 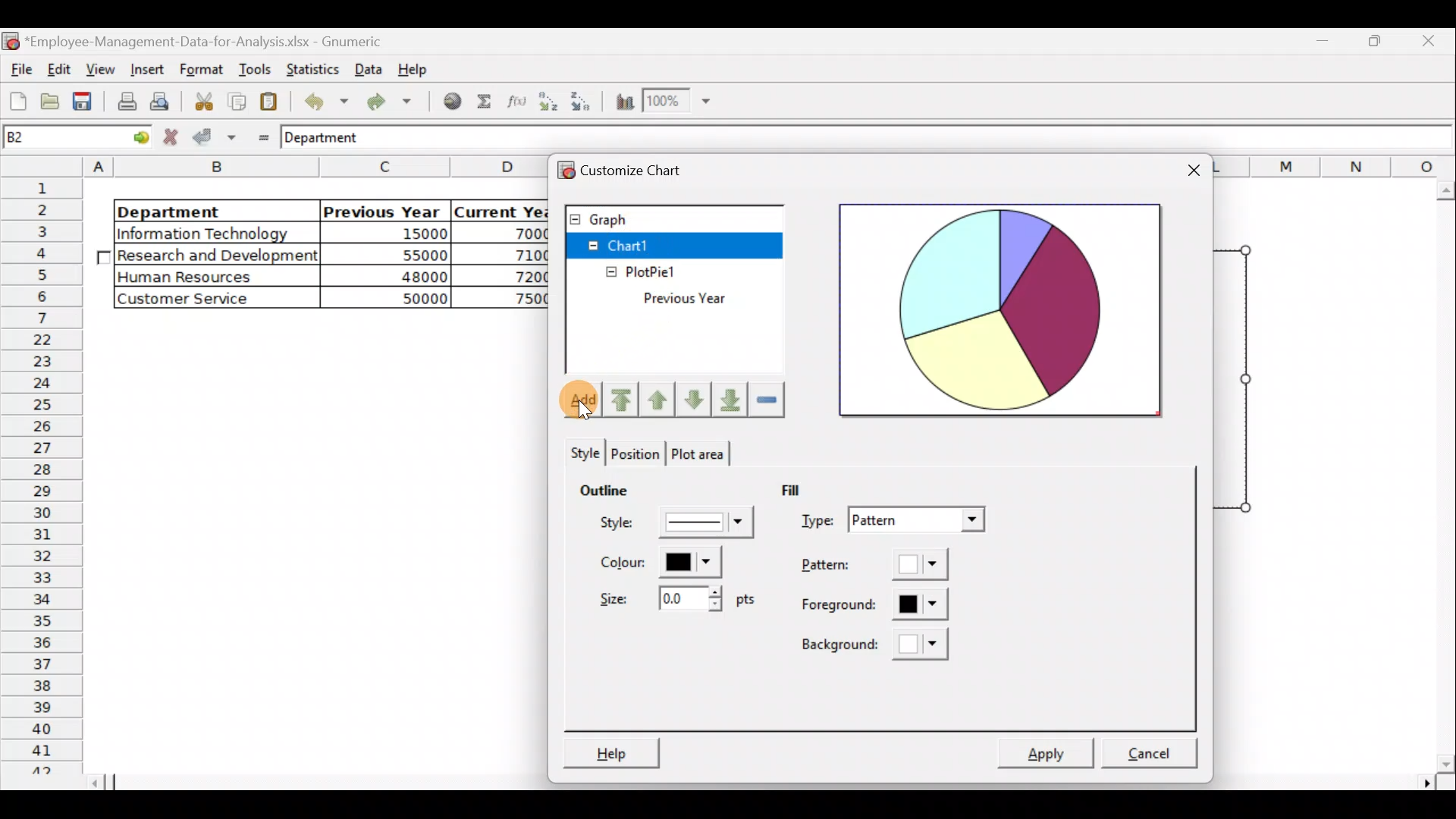 What do you see at coordinates (132, 139) in the screenshot?
I see `go to` at bounding box center [132, 139].